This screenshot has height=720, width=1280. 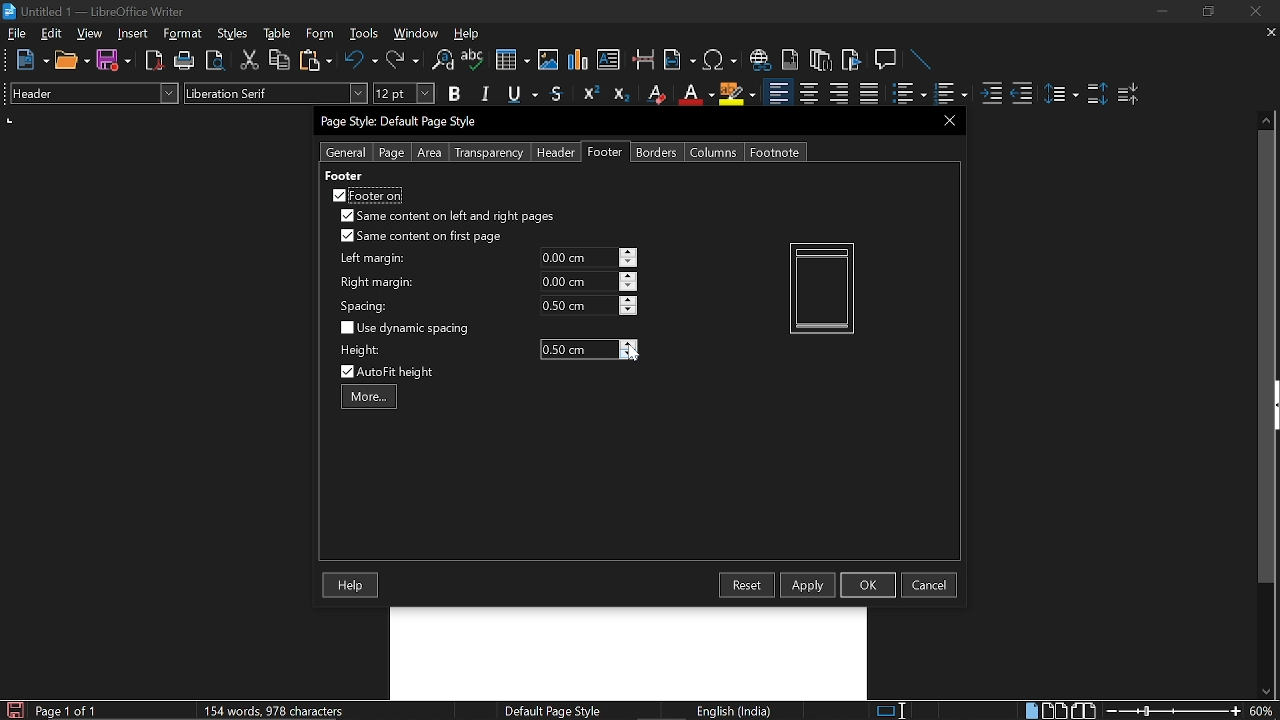 I want to click on Insert endnote, so click(x=790, y=60).